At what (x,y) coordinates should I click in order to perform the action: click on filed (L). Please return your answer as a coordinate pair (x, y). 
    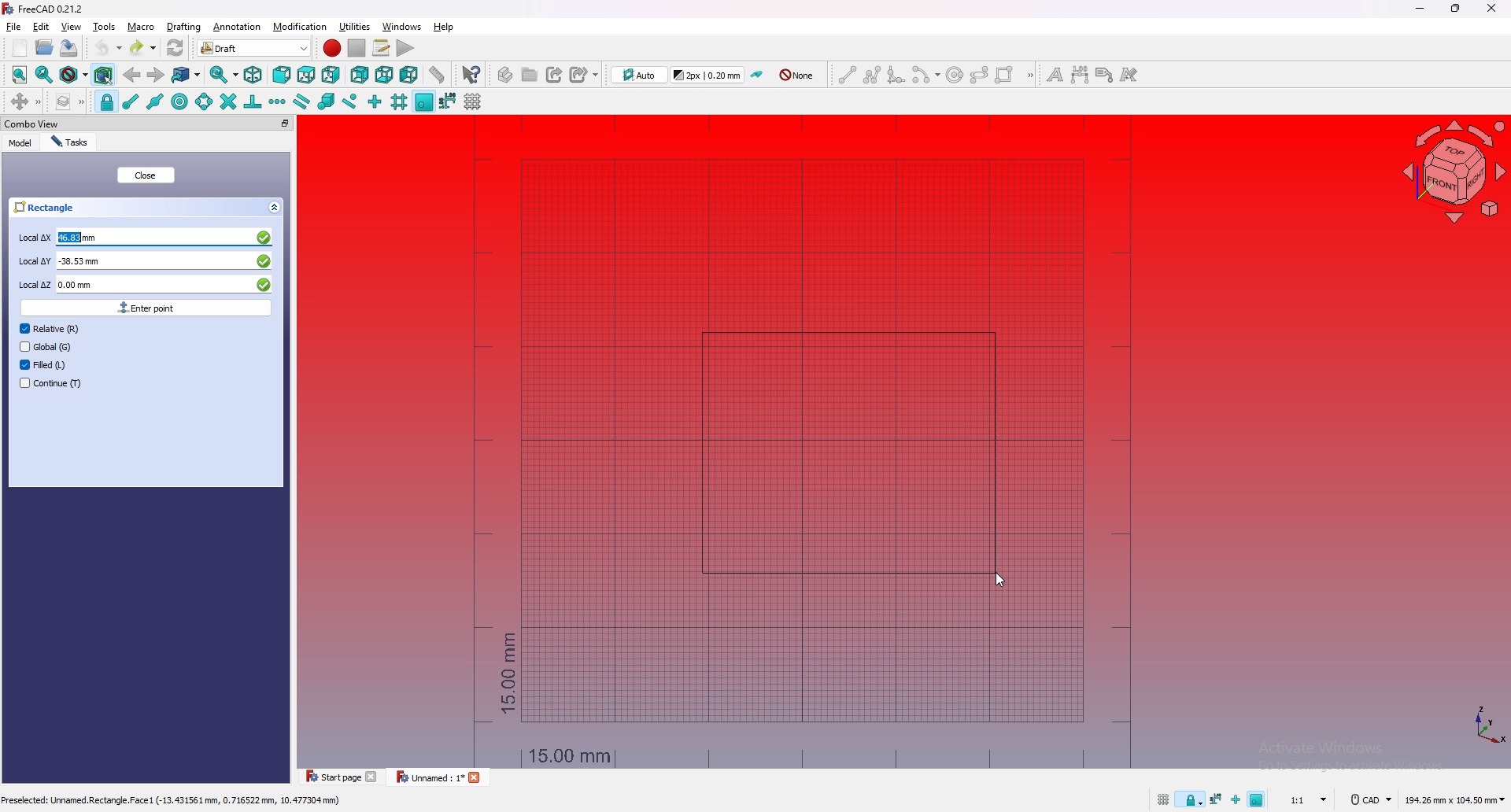
    Looking at the image, I should click on (47, 365).